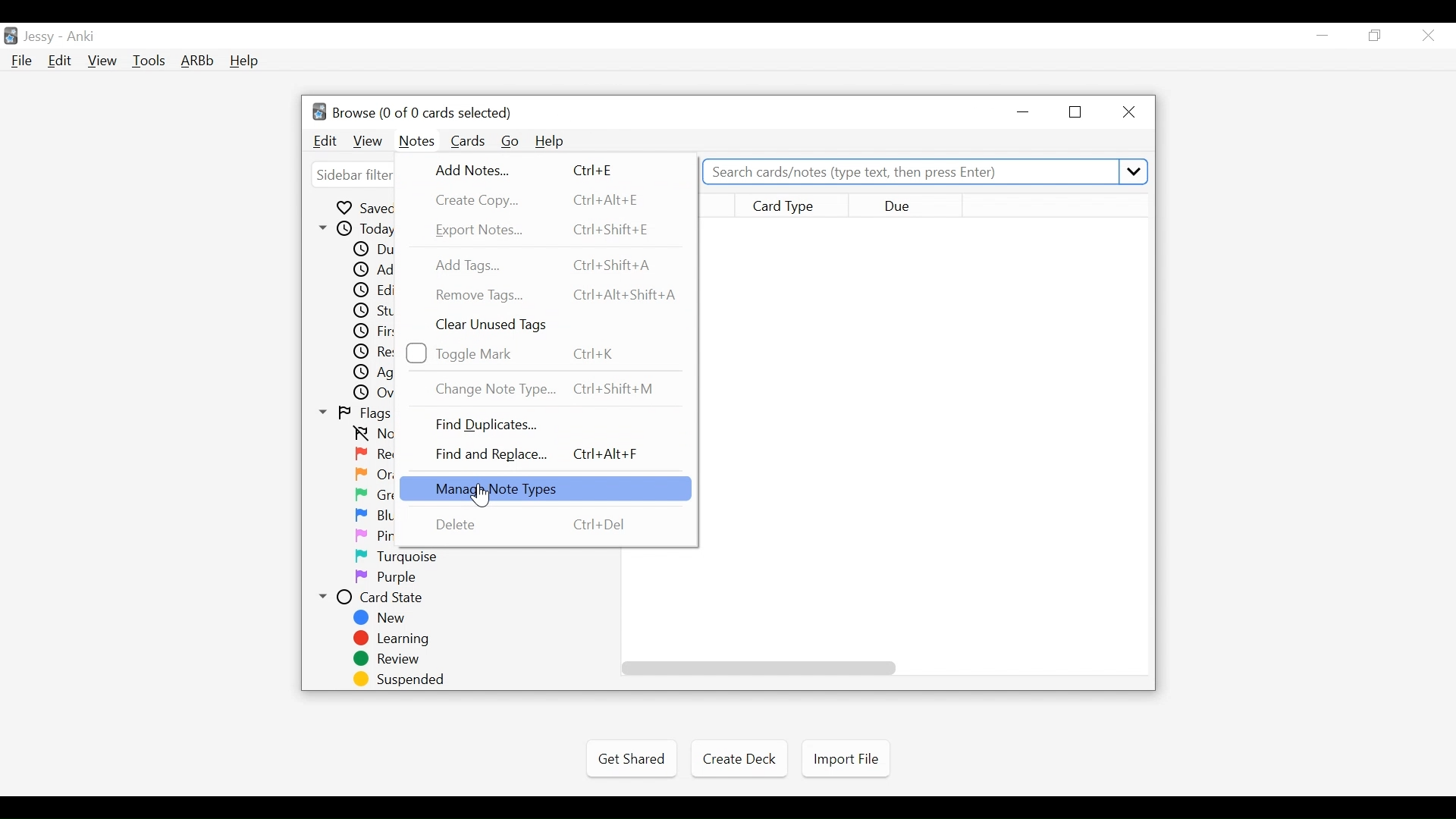 The image size is (1456, 819). I want to click on Close, so click(1126, 113).